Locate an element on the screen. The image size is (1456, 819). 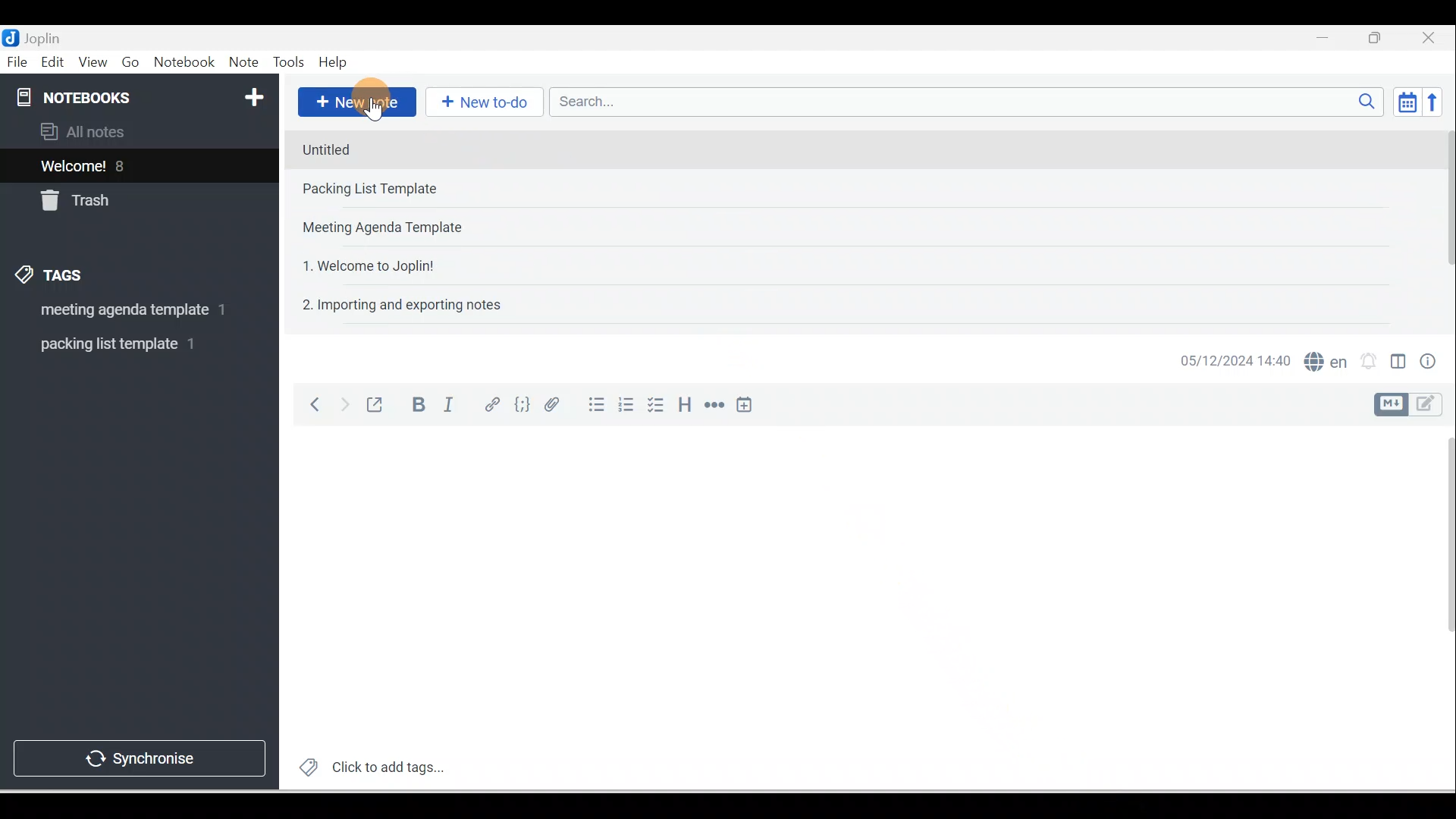
Note is located at coordinates (242, 63).